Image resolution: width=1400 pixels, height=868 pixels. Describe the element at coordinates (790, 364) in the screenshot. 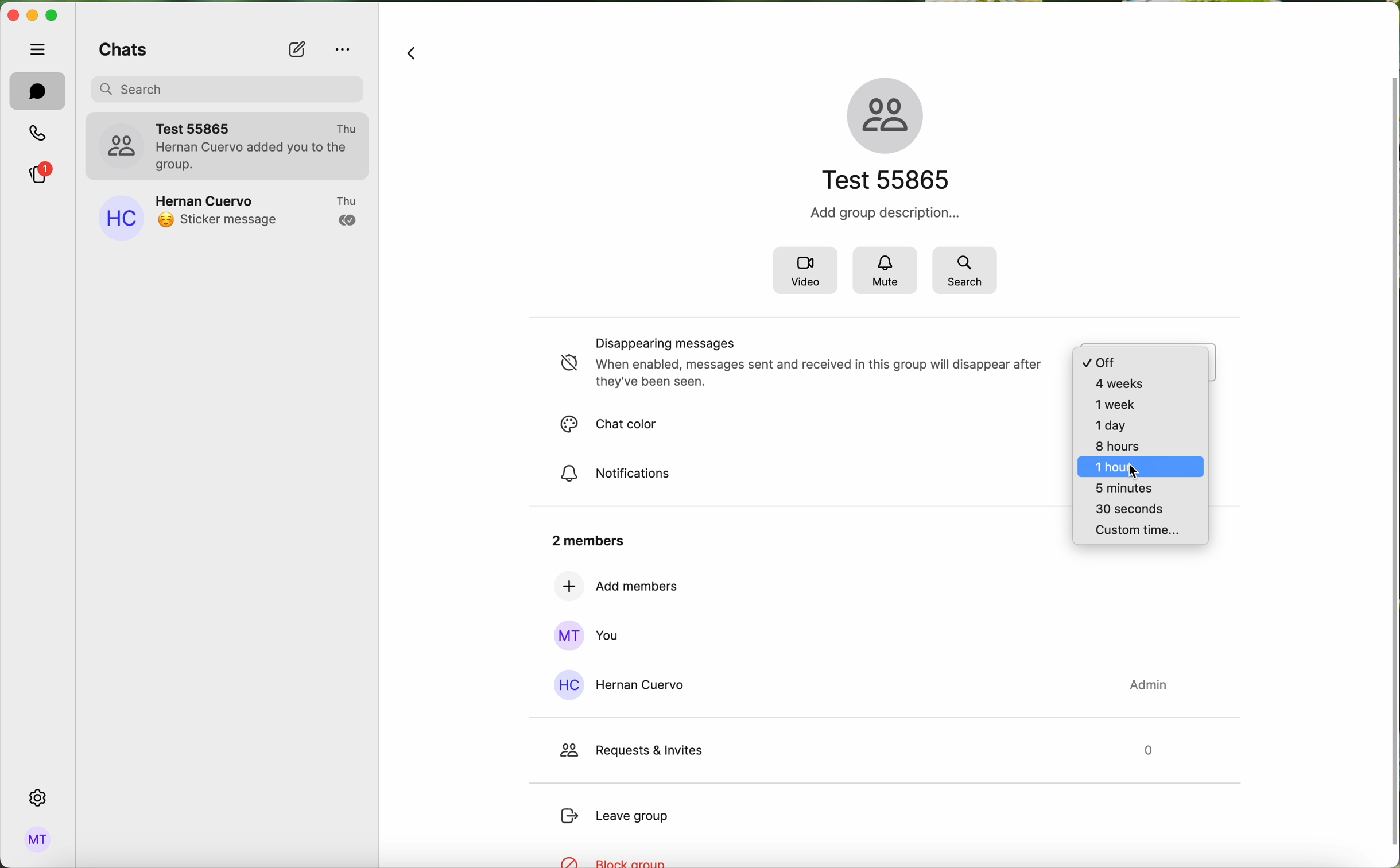

I see `disappearing messages` at that location.